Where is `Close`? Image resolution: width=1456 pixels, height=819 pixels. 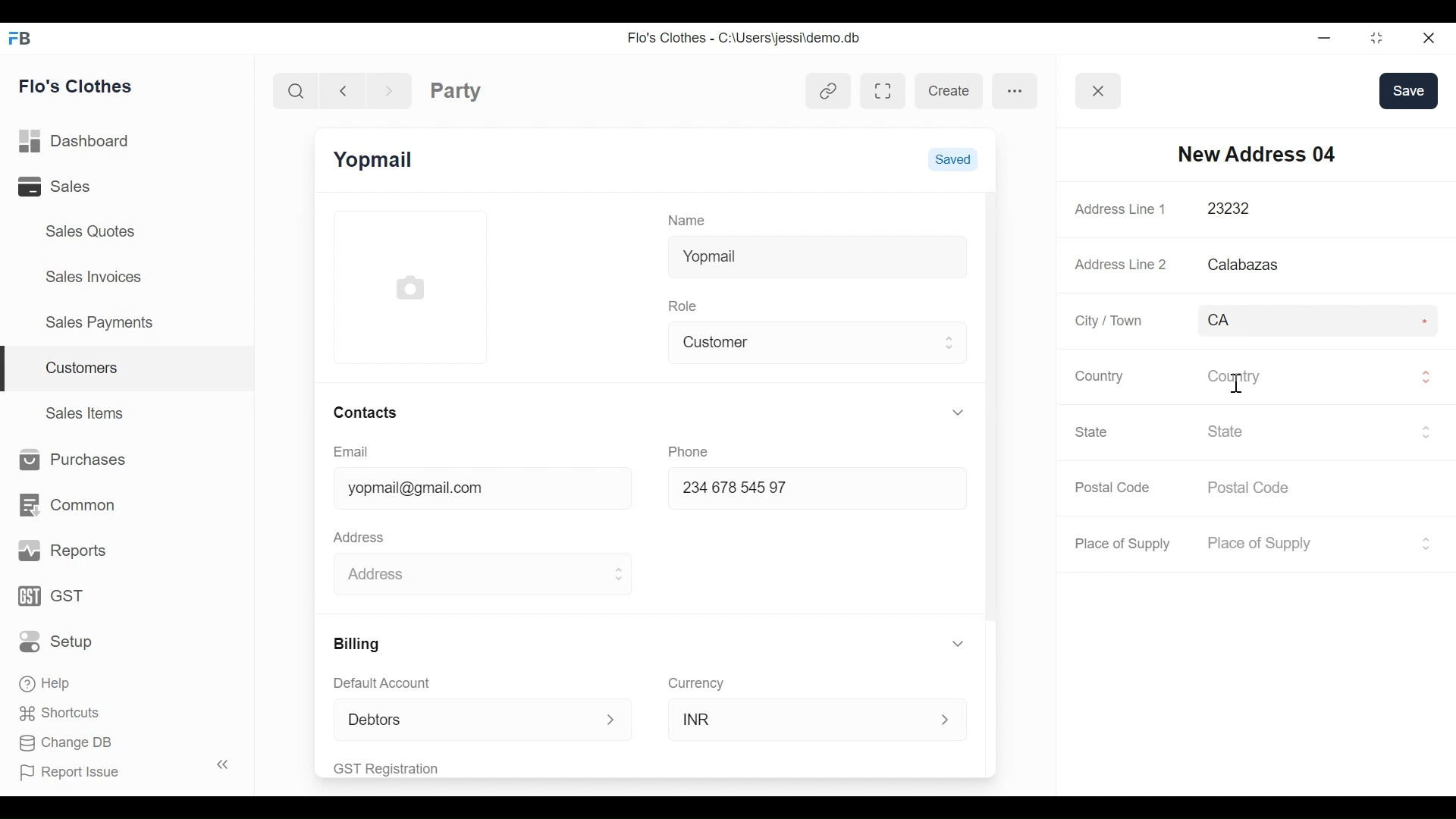
Close is located at coordinates (1426, 37).